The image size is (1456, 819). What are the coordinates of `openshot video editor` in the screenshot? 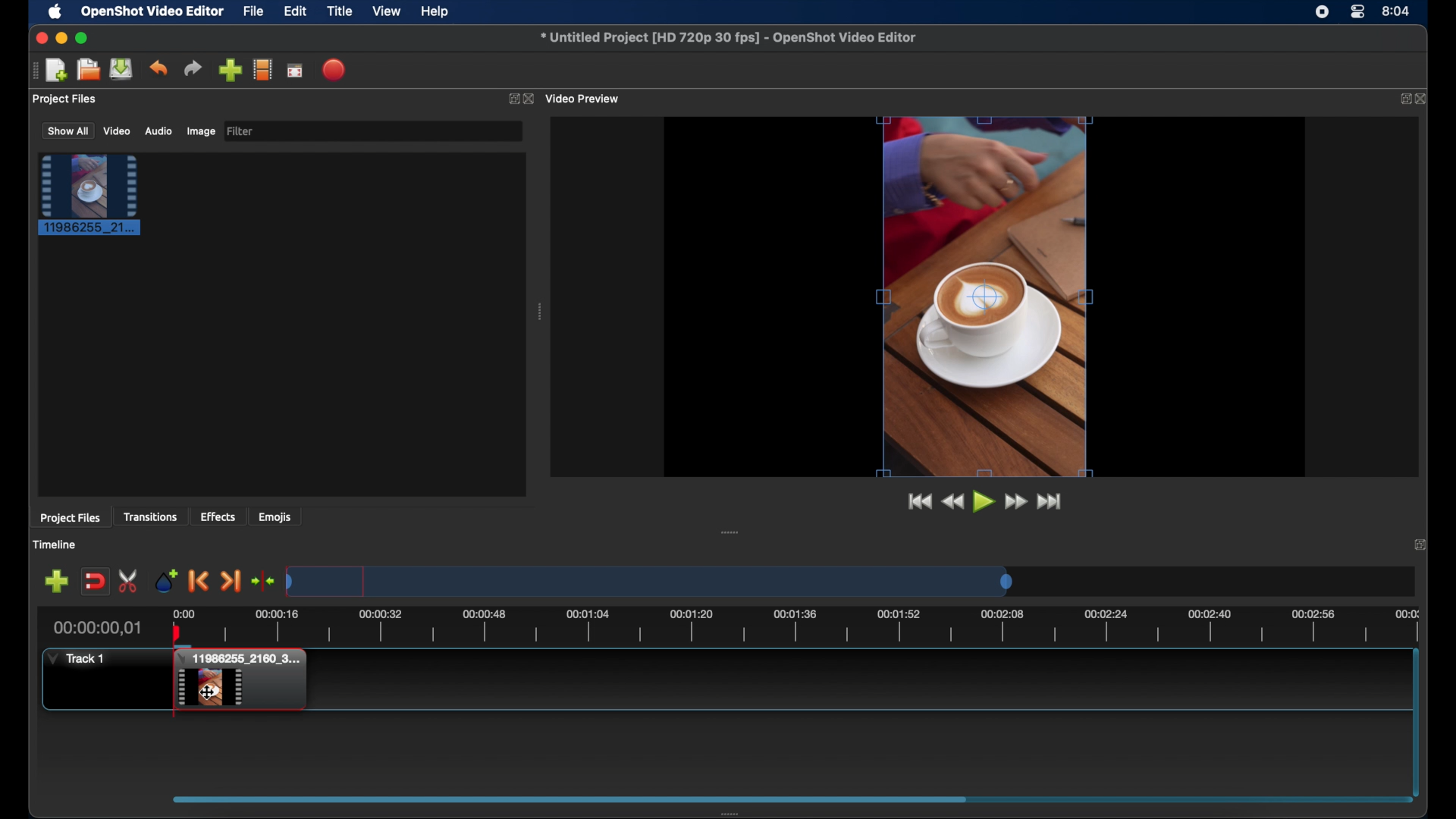 It's located at (153, 12).